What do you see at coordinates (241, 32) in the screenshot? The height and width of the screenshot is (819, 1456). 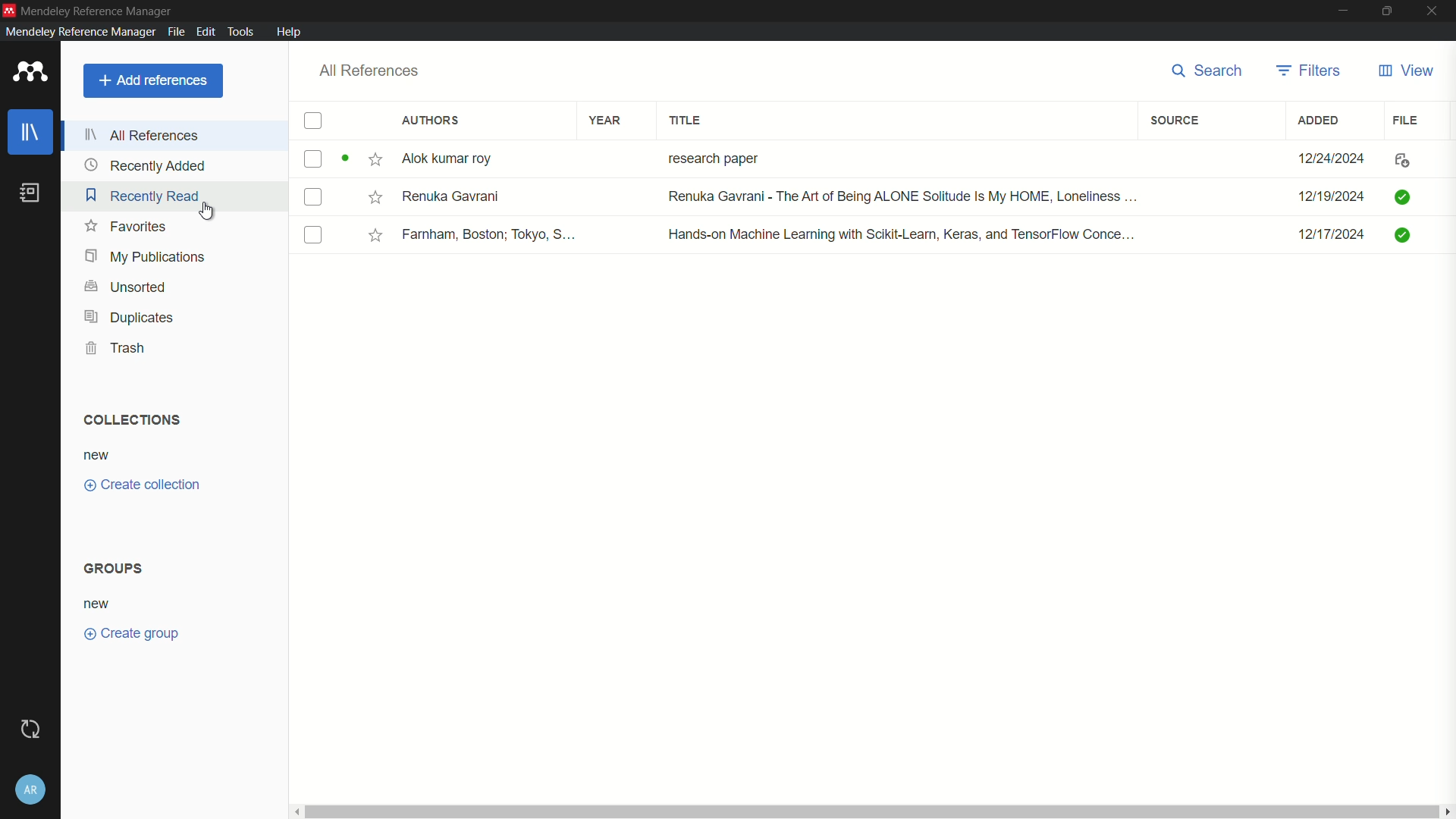 I see `tools menu` at bounding box center [241, 32].